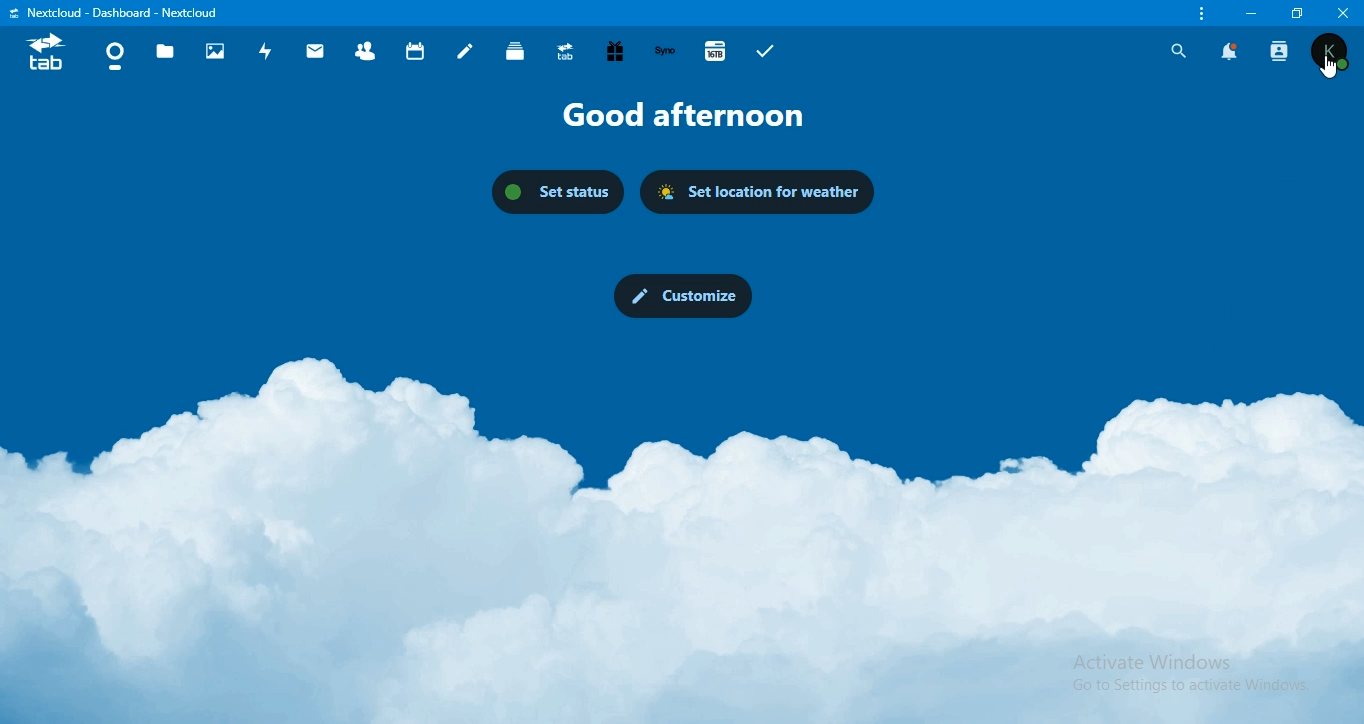  What do you see at coordinates (766, 52) in the screenshot?
I see `tasks` at bounding box center [766, 52].